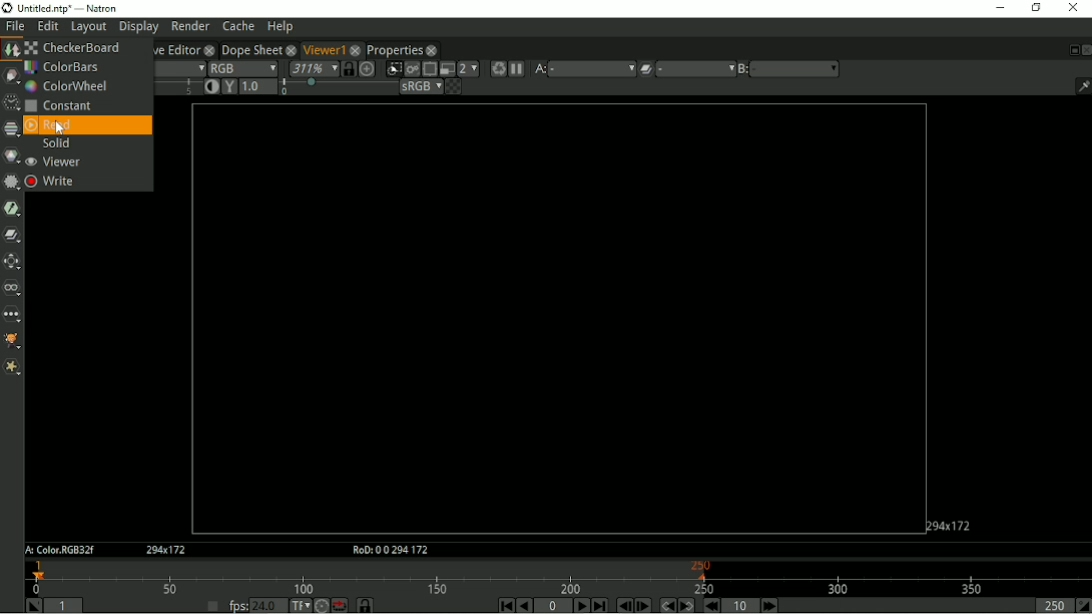 Image resolution: width=1092 pixels, height=614 pixels. I want to click on Constant, so click(61, 106).